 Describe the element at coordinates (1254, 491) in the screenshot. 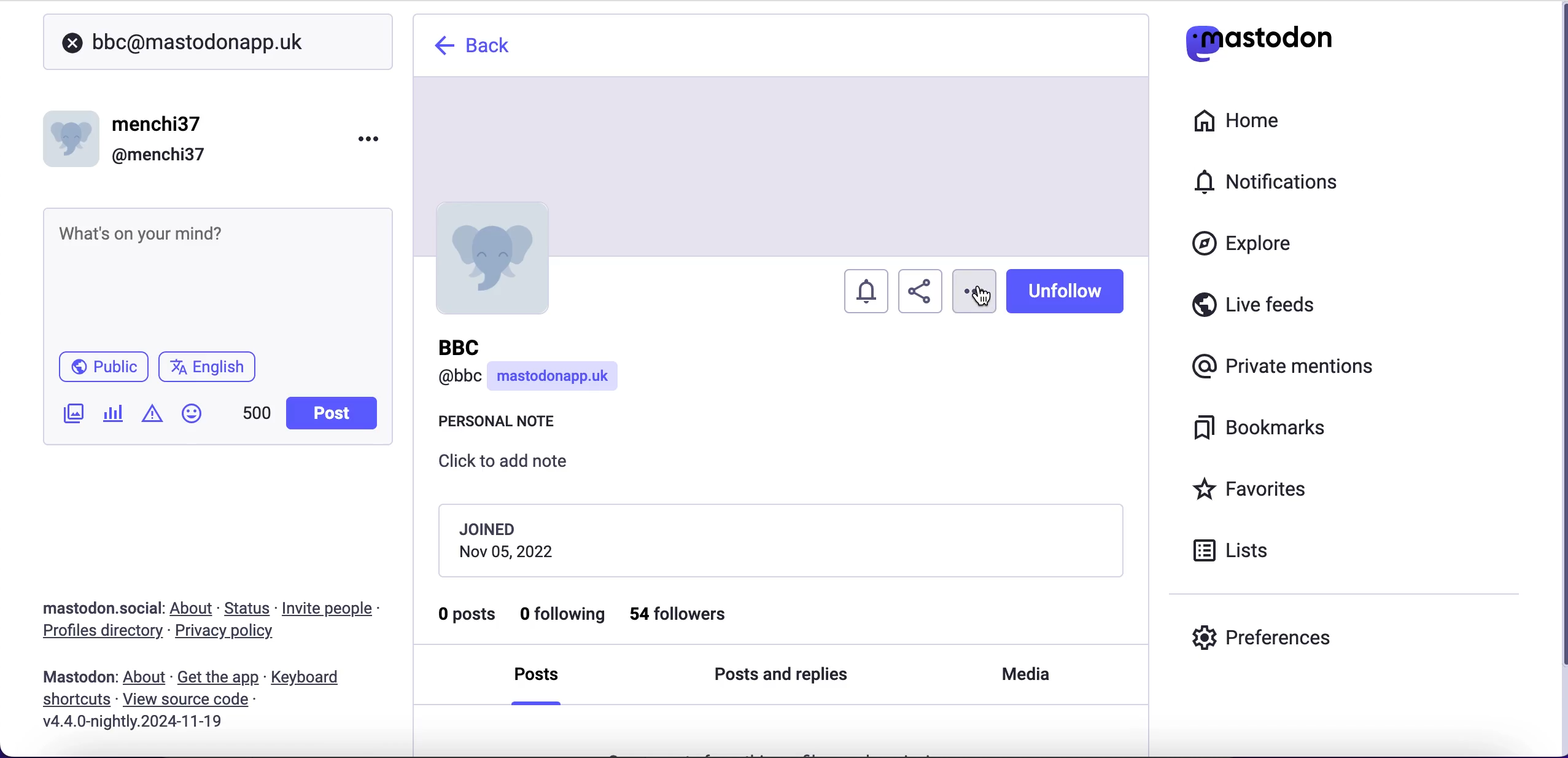

I see `favorites` at that location.